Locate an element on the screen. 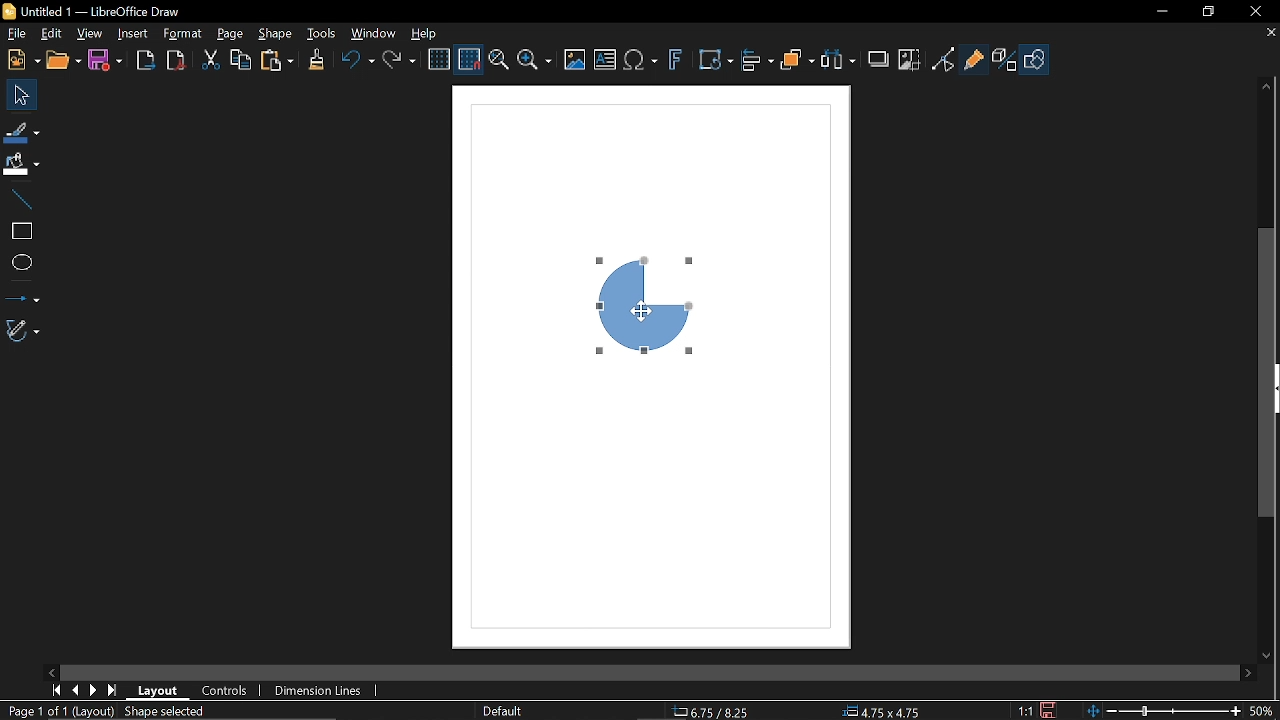 The height and width of the screenshot is (720, 1280). Minimize is located at coordinates (1161, 10).